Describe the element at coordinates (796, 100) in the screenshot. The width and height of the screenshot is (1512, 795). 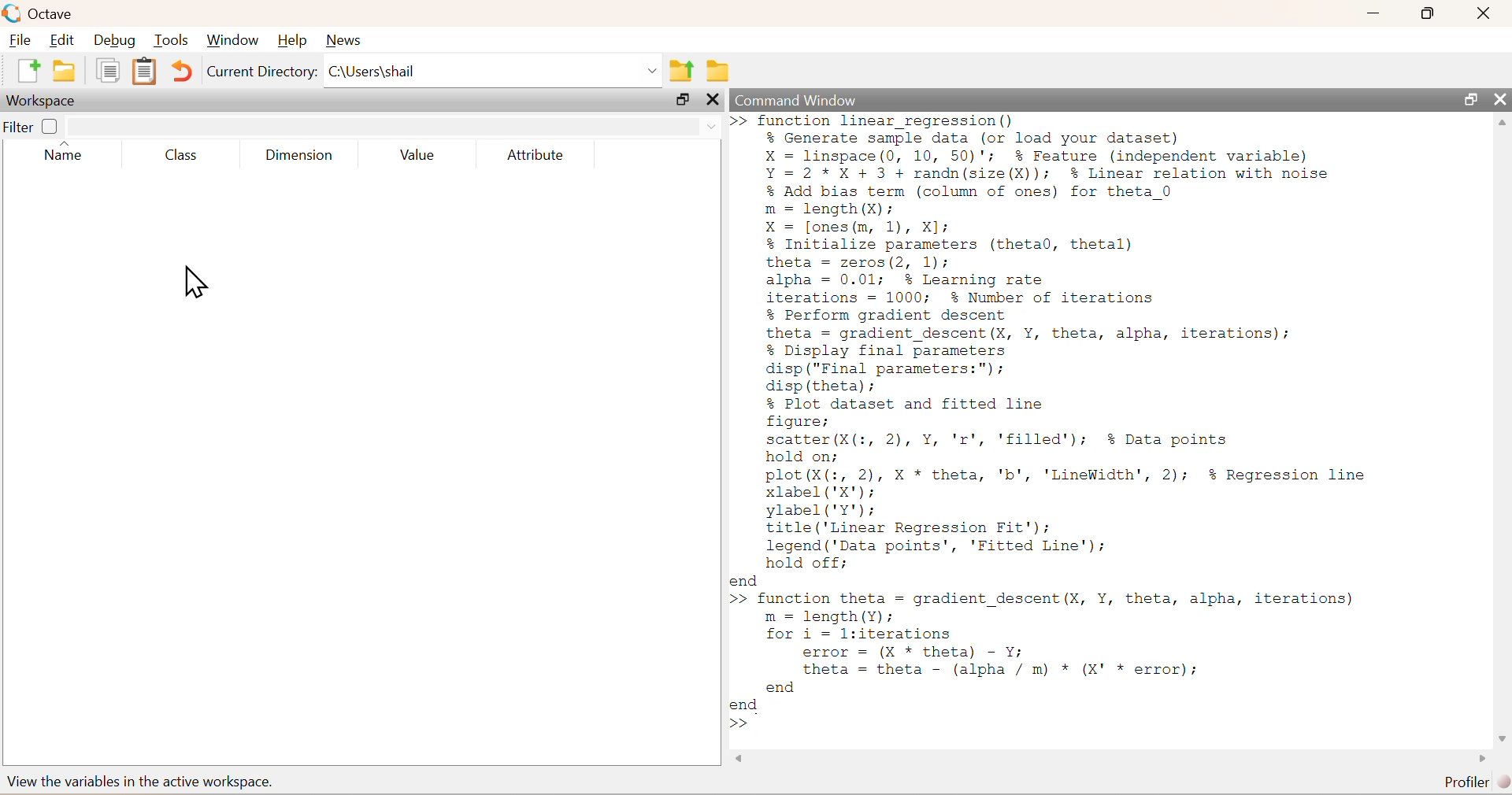
I see `Command Window` at that location.